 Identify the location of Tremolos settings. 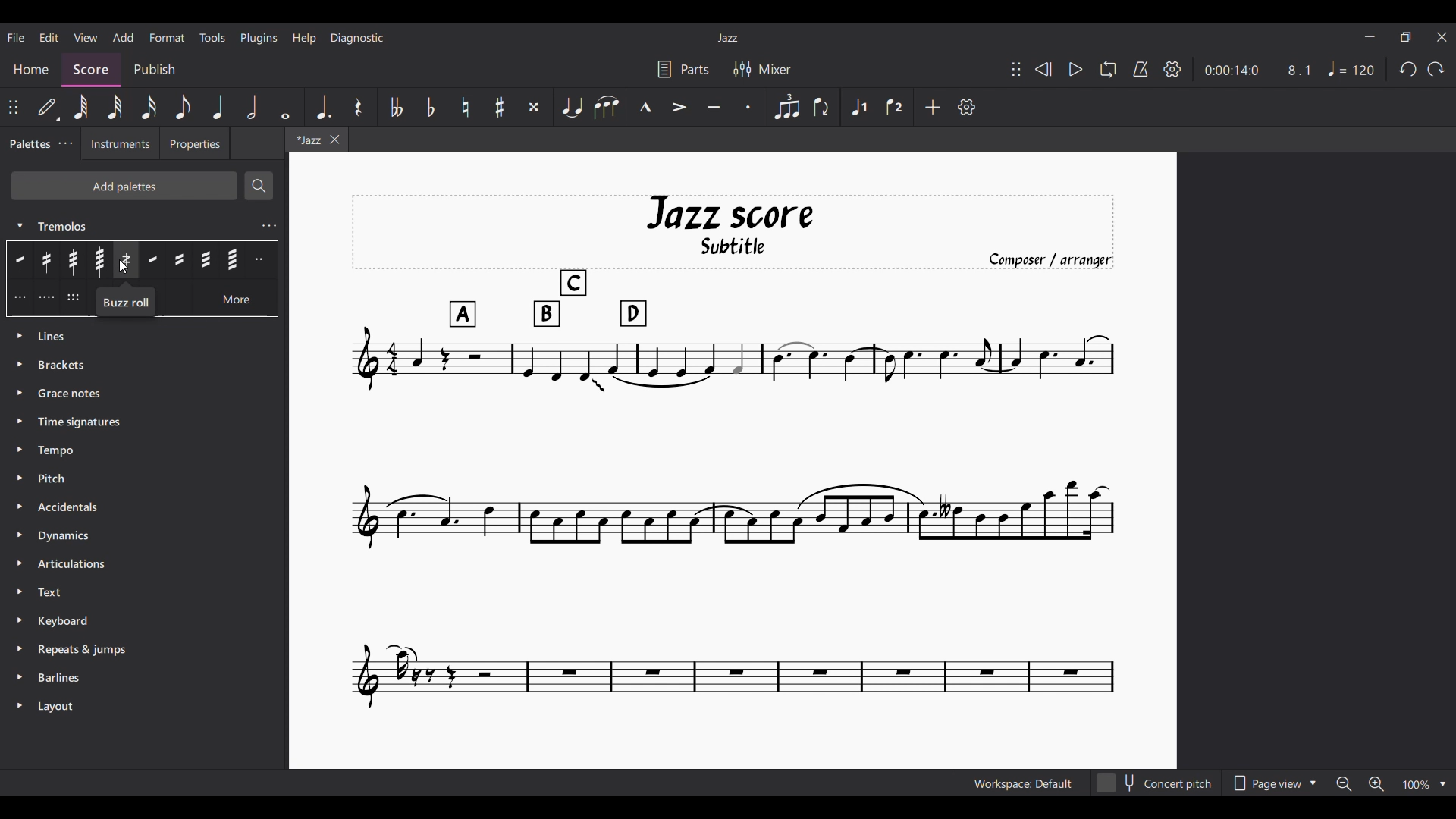
(269, 226).